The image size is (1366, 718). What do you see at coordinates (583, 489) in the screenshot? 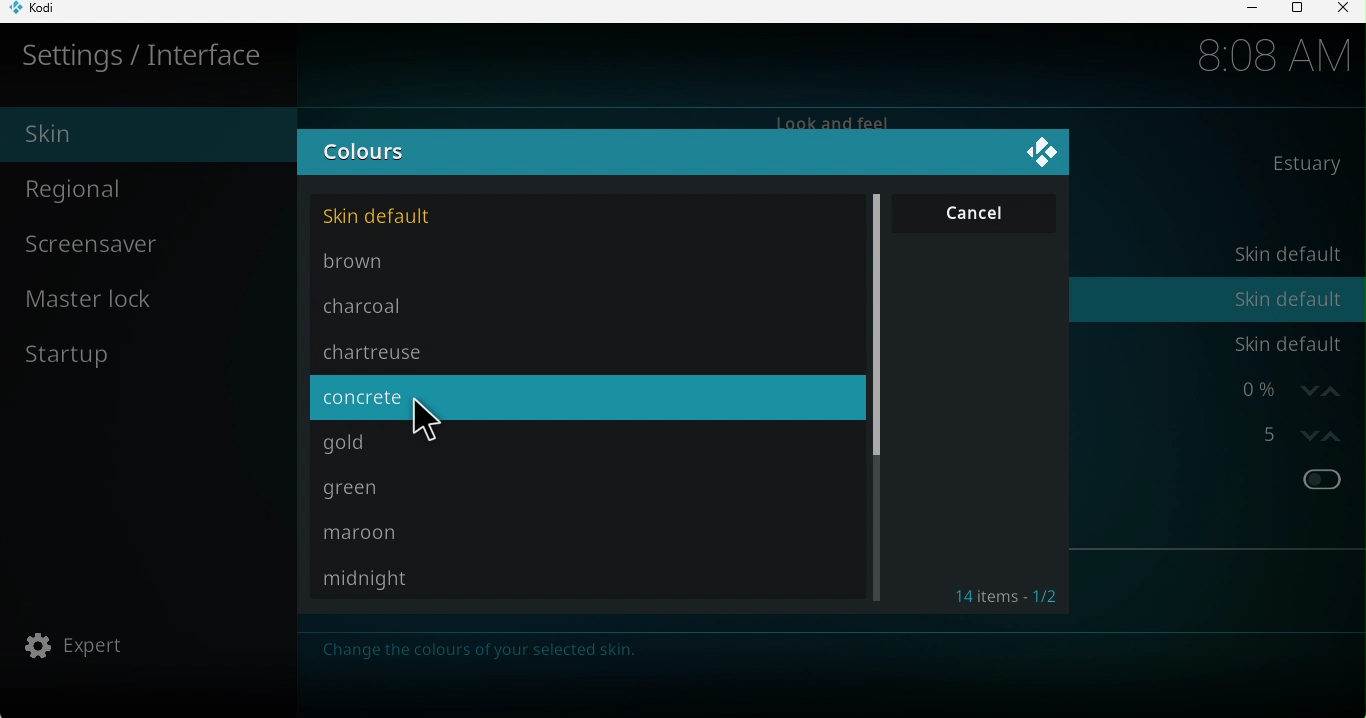
I see `Green` at bounding box center [583, 489].